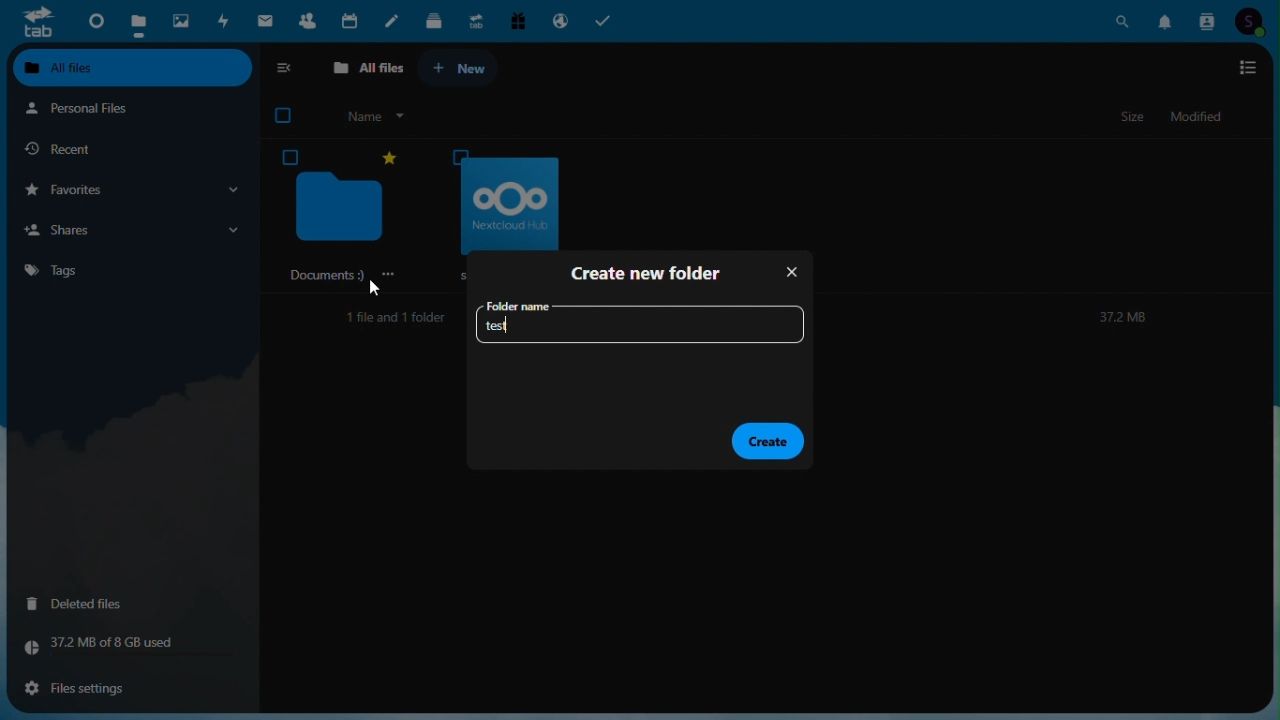  I want to click on options, so click(1241, 72).